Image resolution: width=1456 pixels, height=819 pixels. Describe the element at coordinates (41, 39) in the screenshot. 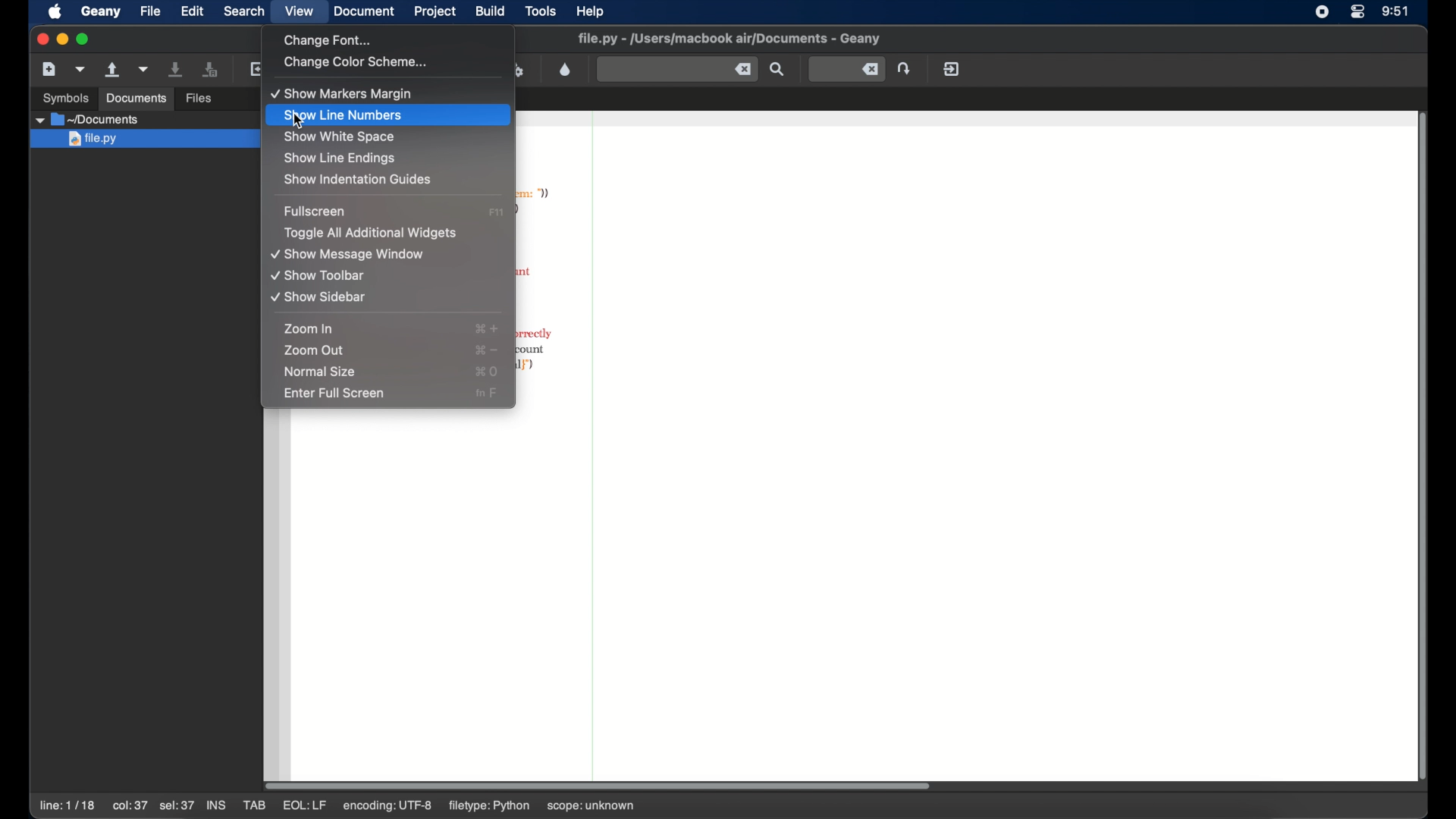

I see `close` at that location.